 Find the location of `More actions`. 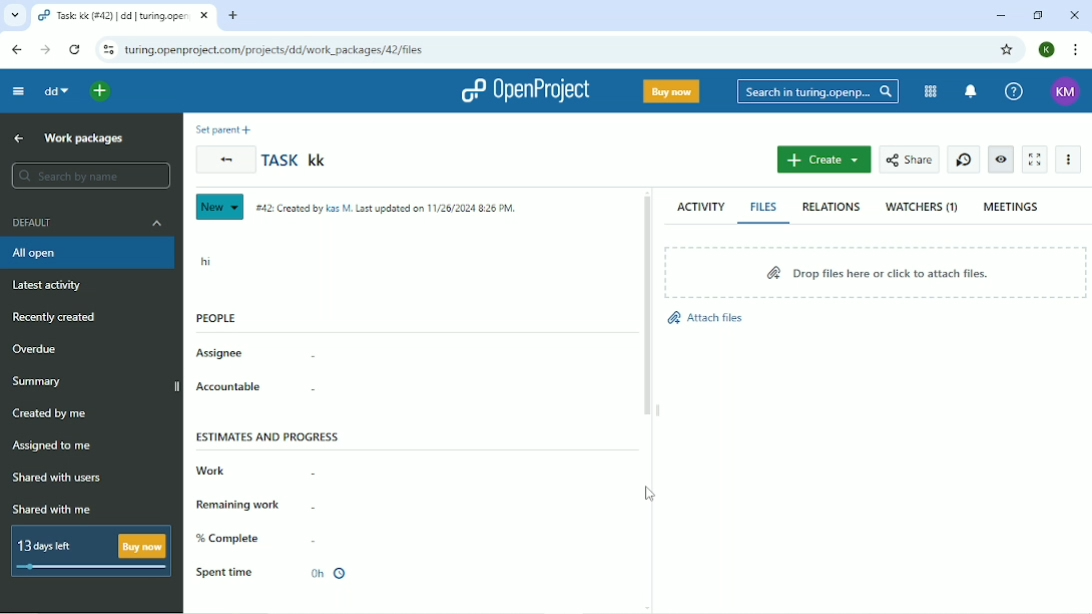

More actions is located at coordinates (1067, 159).